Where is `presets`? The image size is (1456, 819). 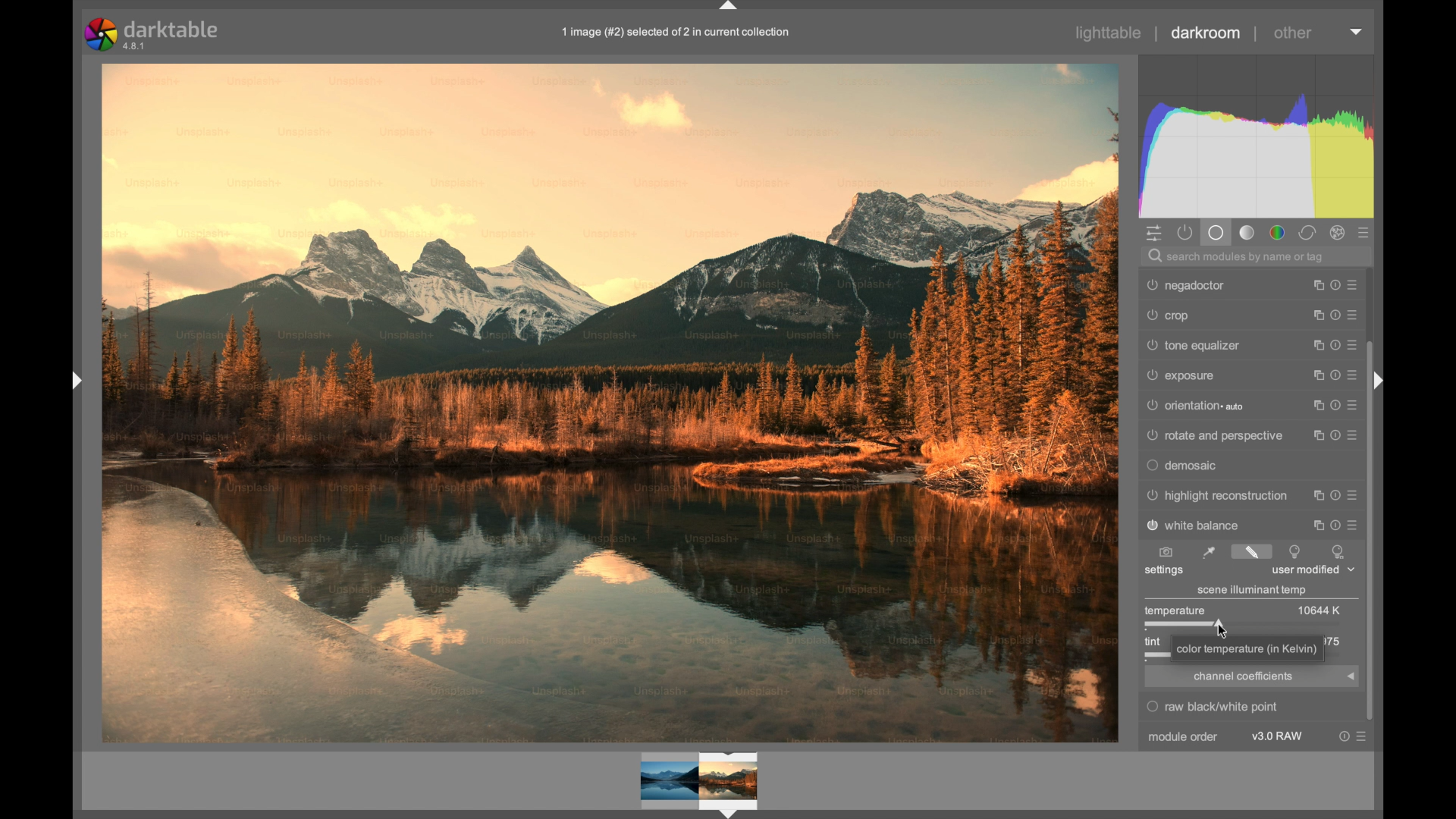
presets is located at coordinates (1357, 523).